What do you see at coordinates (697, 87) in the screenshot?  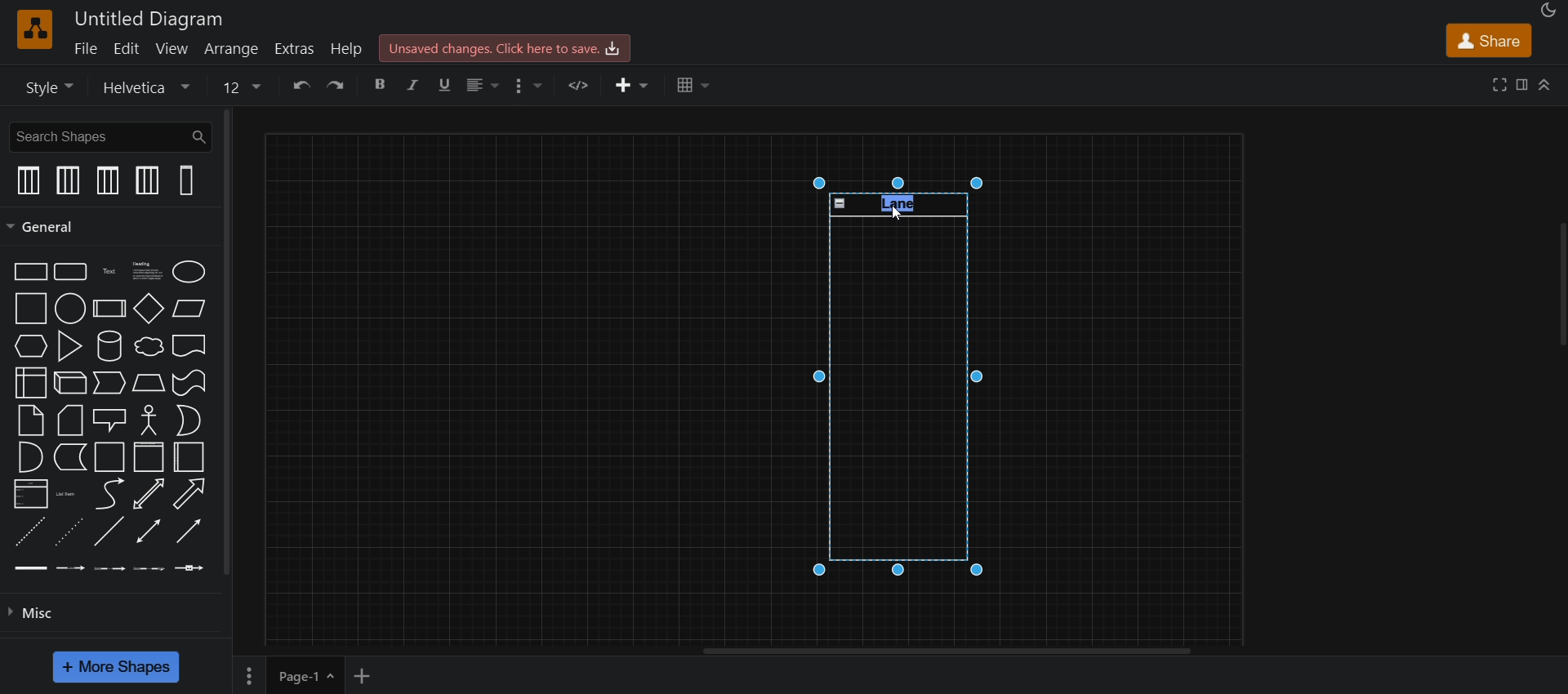 I see `table` at bounding box center [697, 87].